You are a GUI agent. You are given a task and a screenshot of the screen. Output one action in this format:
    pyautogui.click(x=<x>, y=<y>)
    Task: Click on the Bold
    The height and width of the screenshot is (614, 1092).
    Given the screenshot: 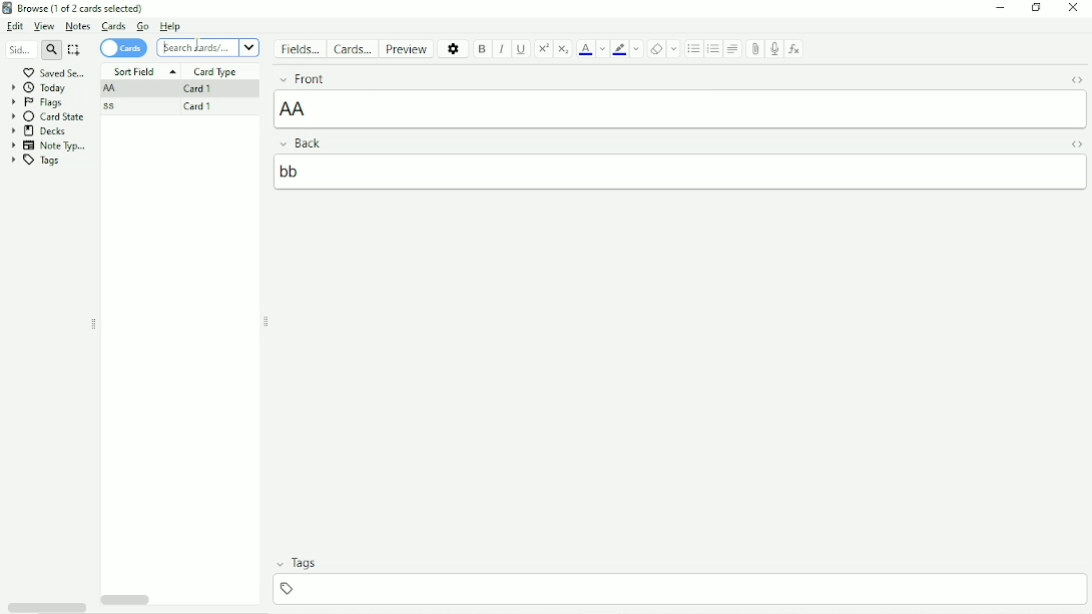 What is the action you would take?
    pyautogui.click(x=482, y=49)
    